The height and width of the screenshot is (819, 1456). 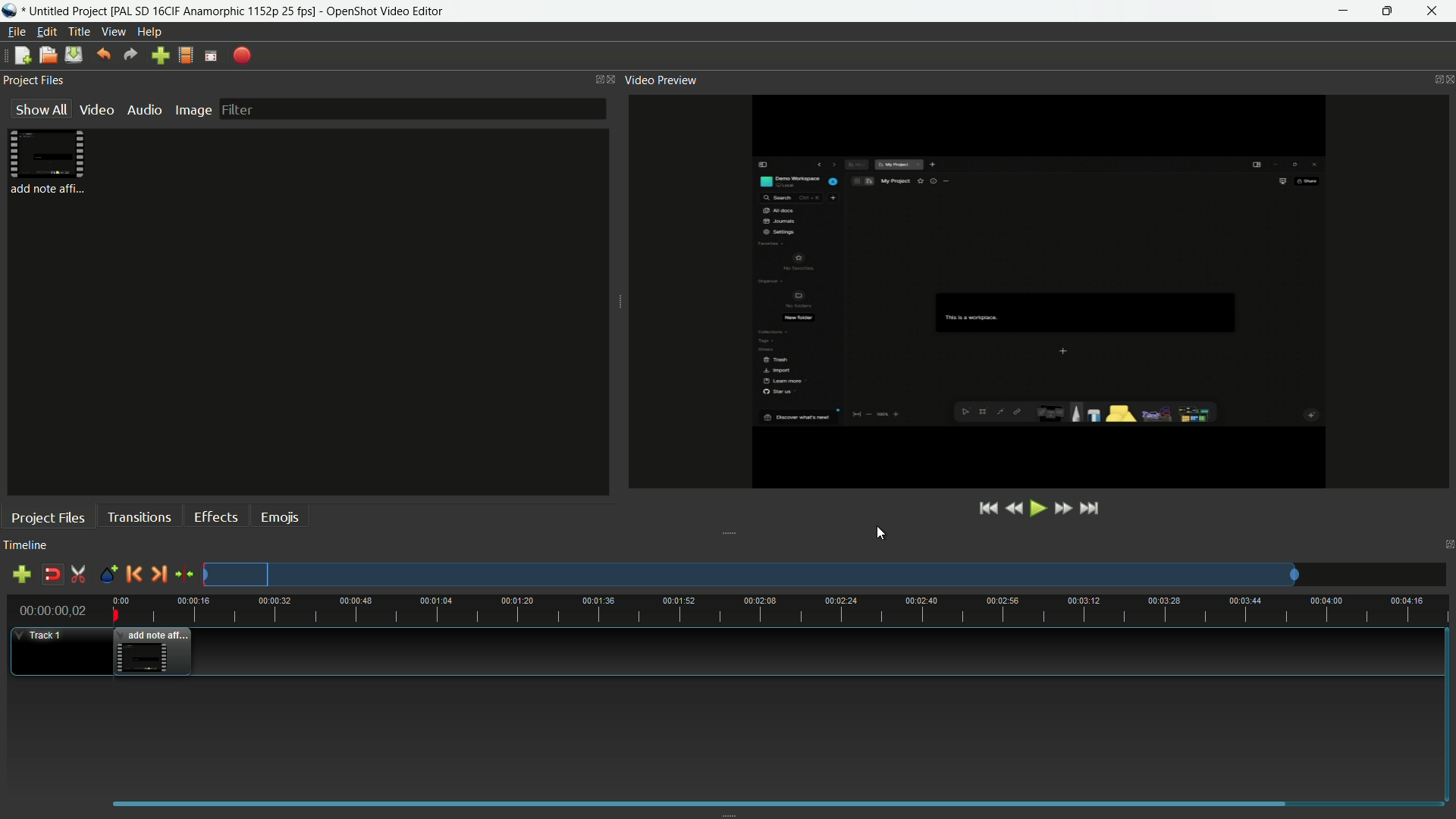 I want to click on video in timeline, so click(x=154, y=651).